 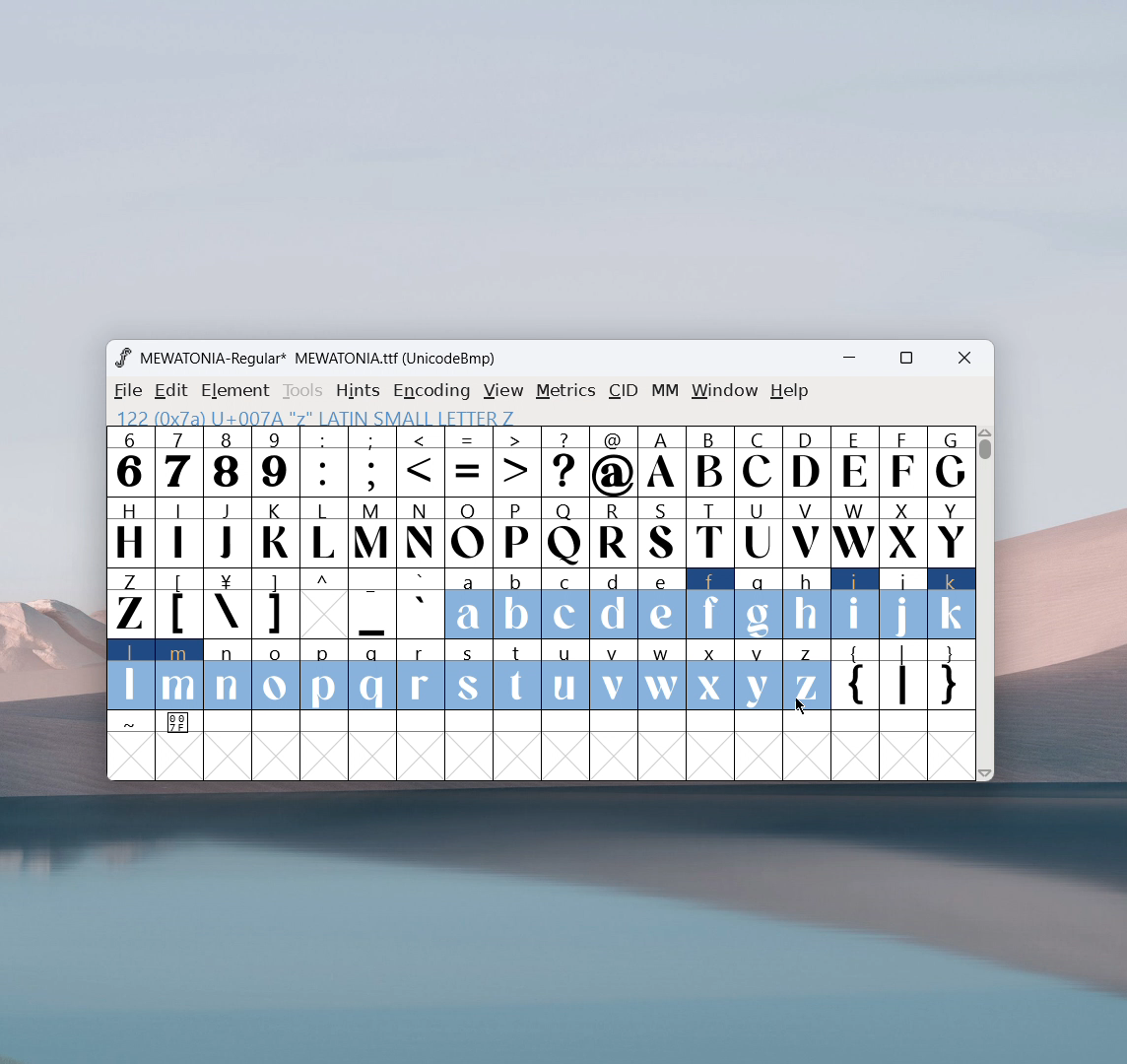 I want to click on y, so click(x=760, y=676).